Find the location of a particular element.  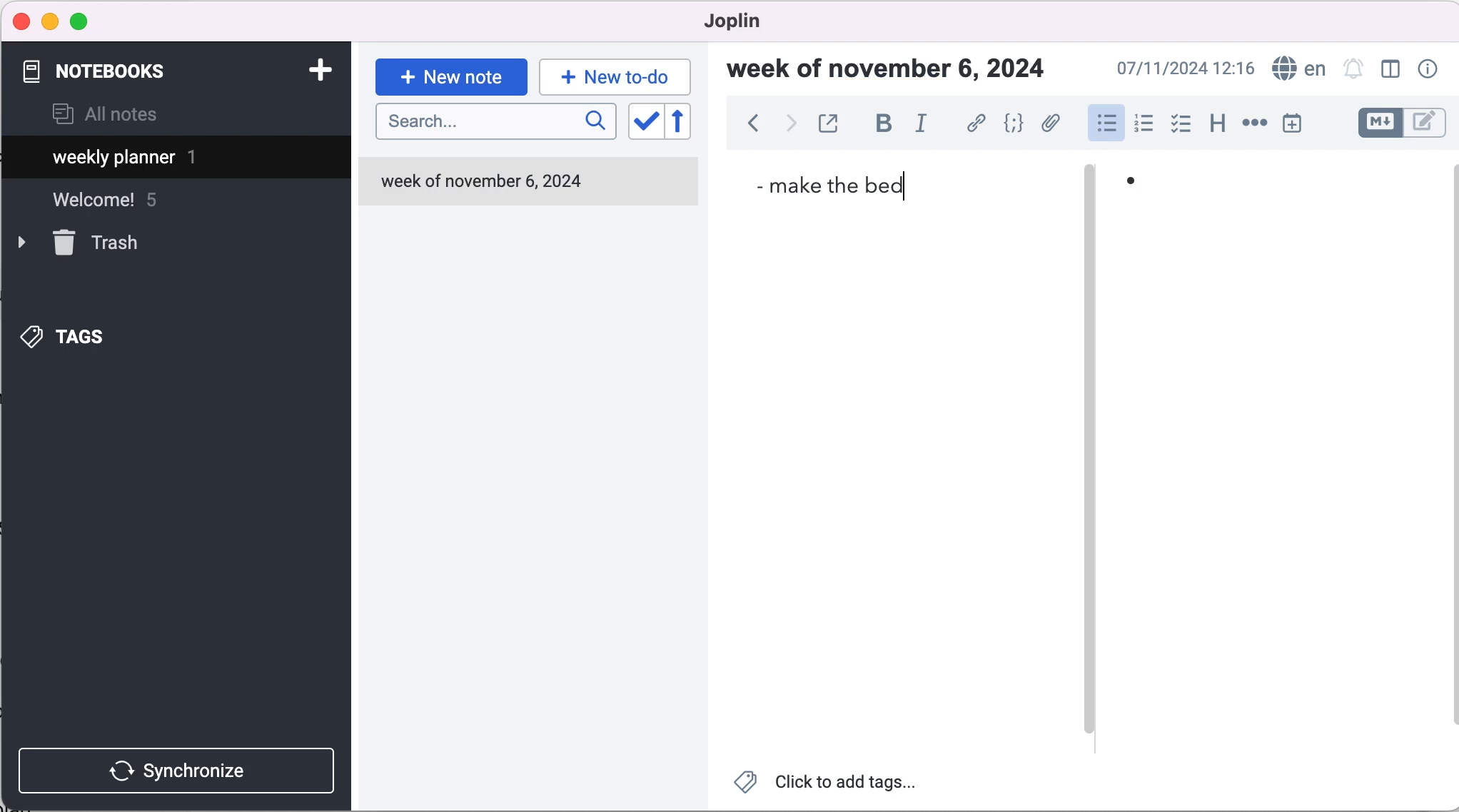

week of november 6, 2024 is located at coordinates (488, 181).